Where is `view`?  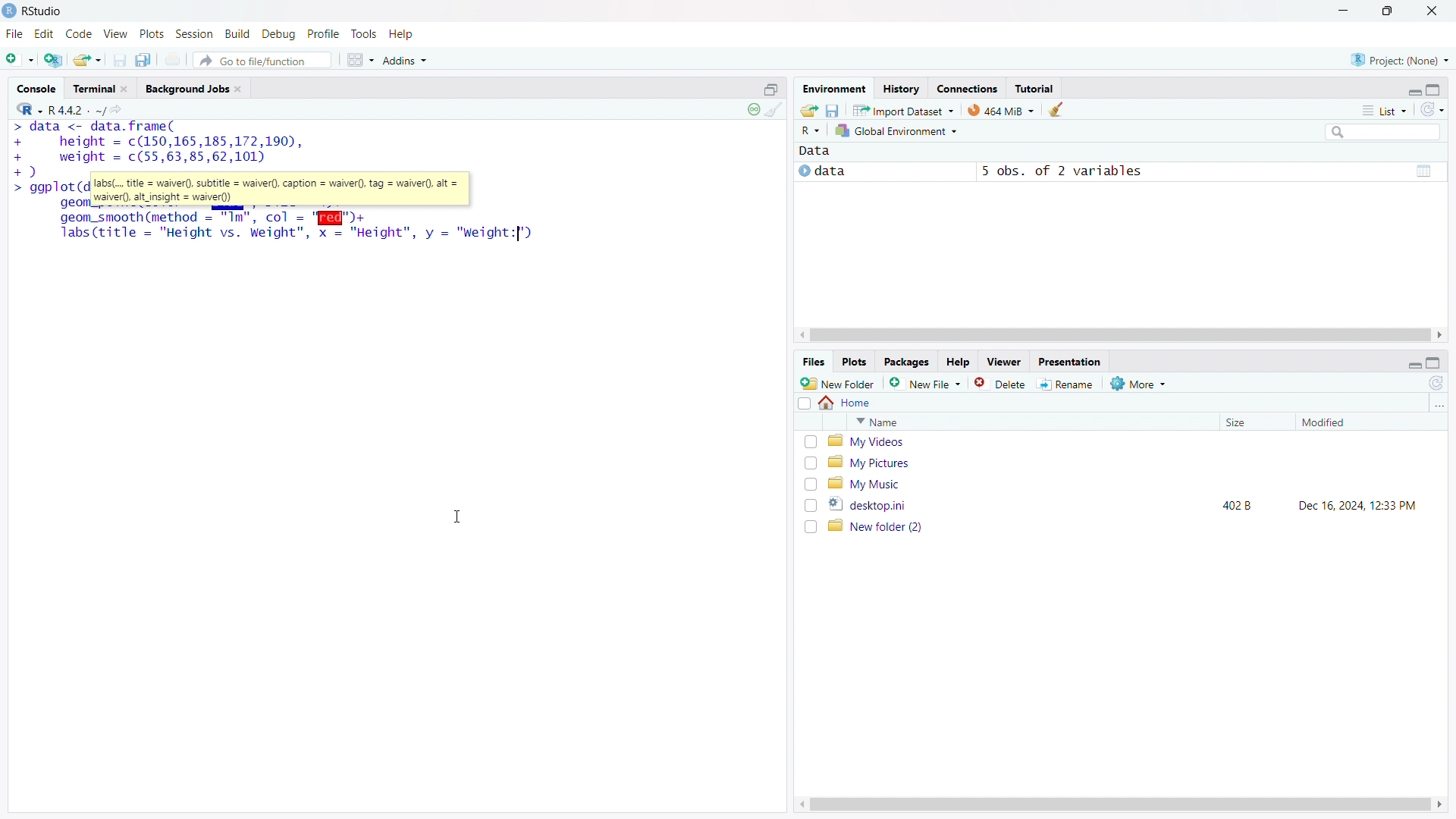
view is located at coordinates (116, 34).